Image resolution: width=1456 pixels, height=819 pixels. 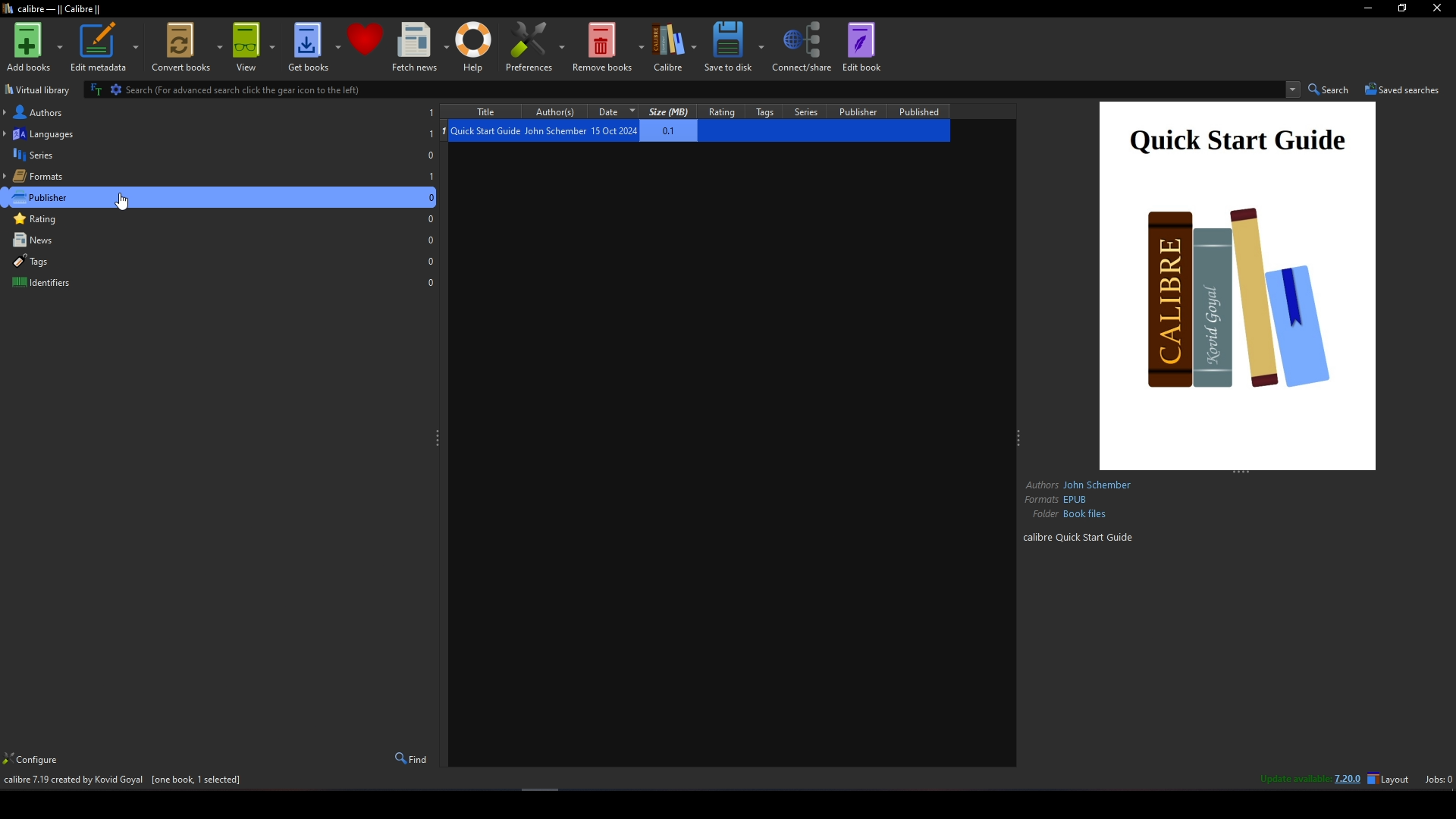 I want to click on Books panel, so click(x=728, y=455).